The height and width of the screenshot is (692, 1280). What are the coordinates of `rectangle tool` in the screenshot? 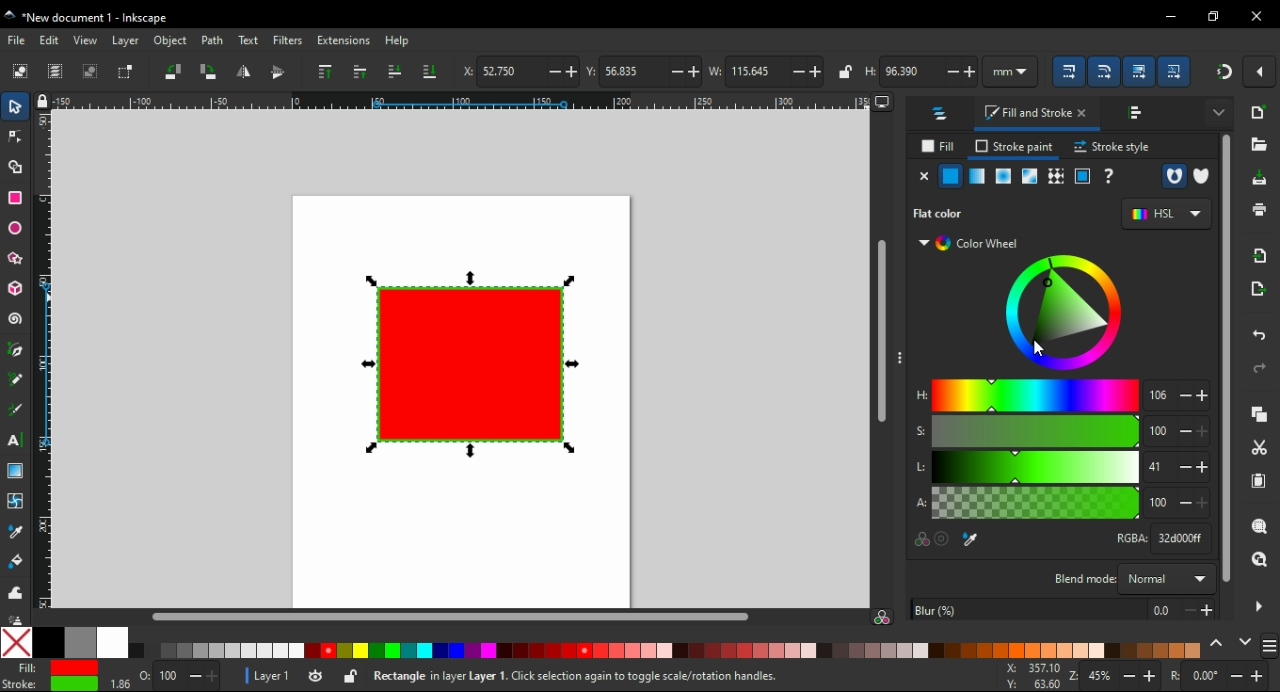 It's located at (15, 197).